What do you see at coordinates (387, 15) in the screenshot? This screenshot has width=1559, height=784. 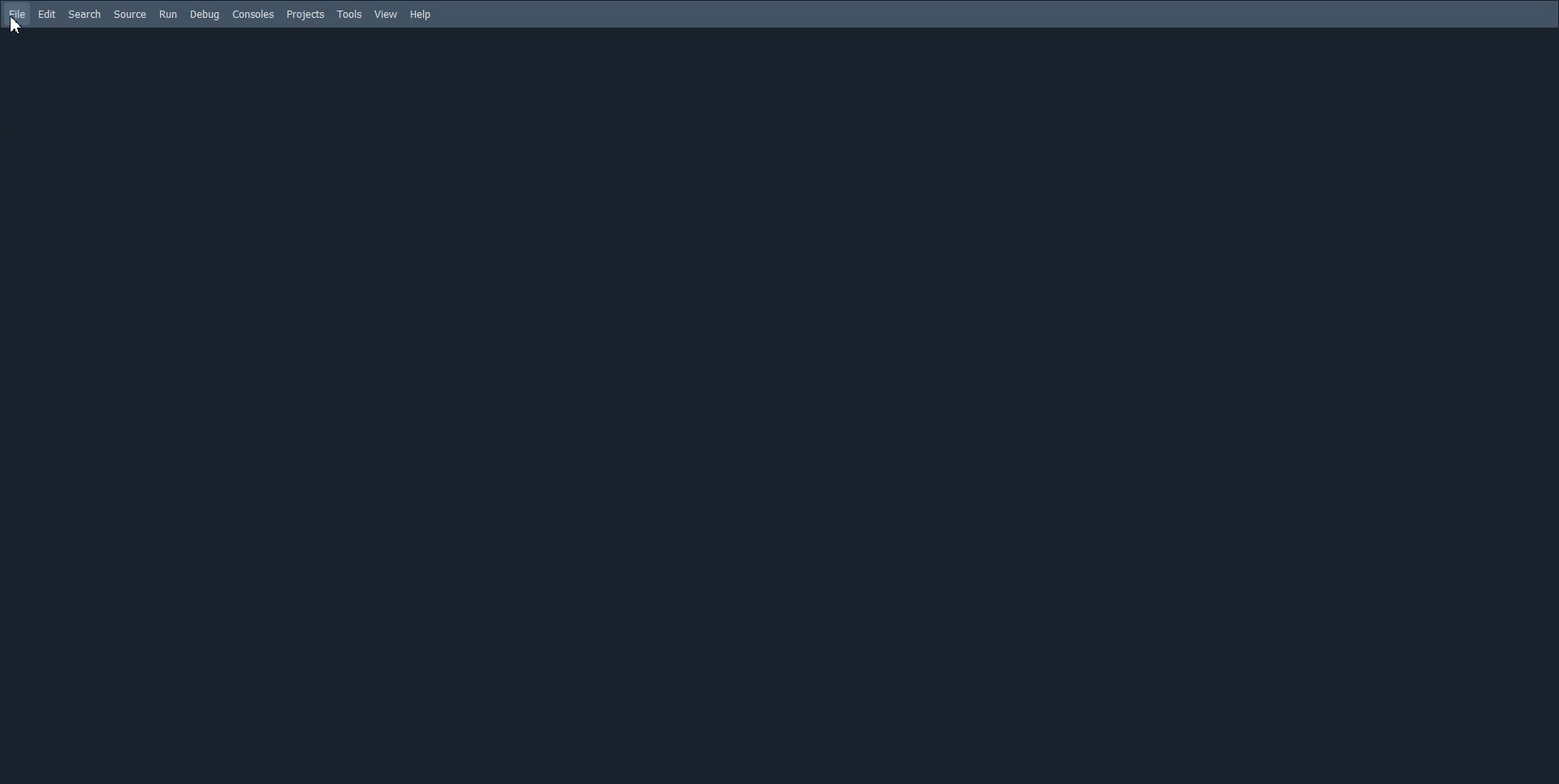 I see `View` at bounding box center [387, 15].